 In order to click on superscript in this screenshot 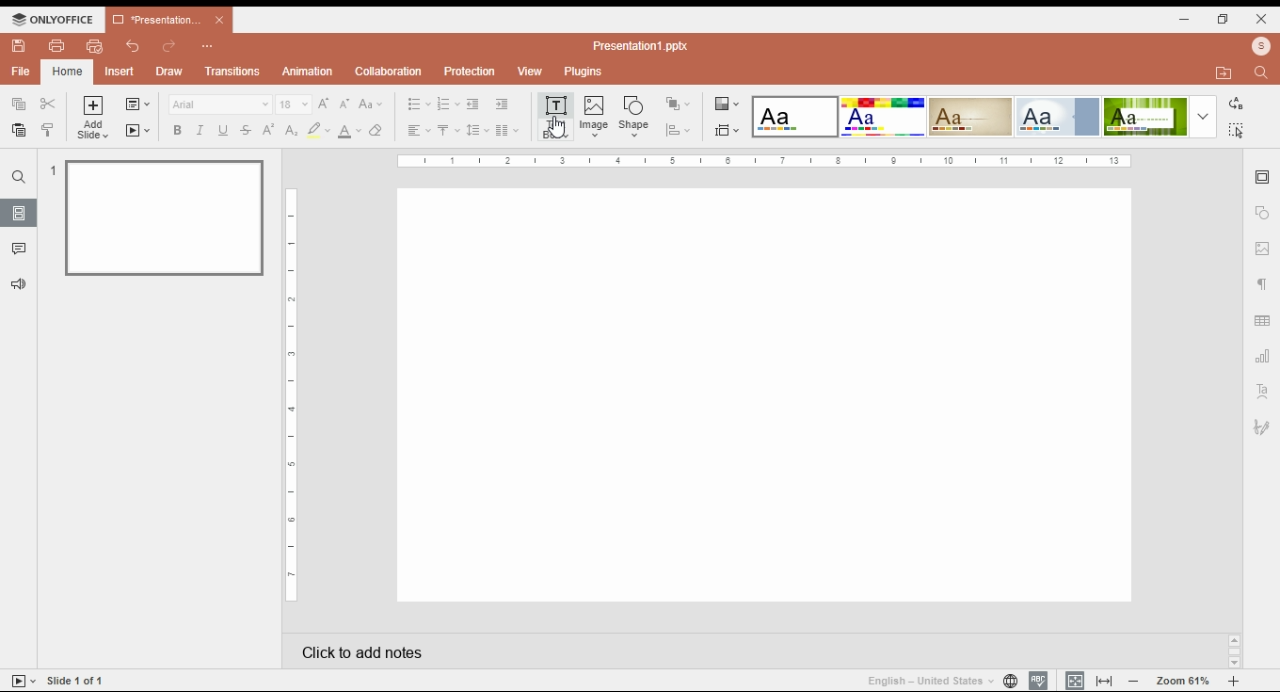, I will do `click(268, 130)`.